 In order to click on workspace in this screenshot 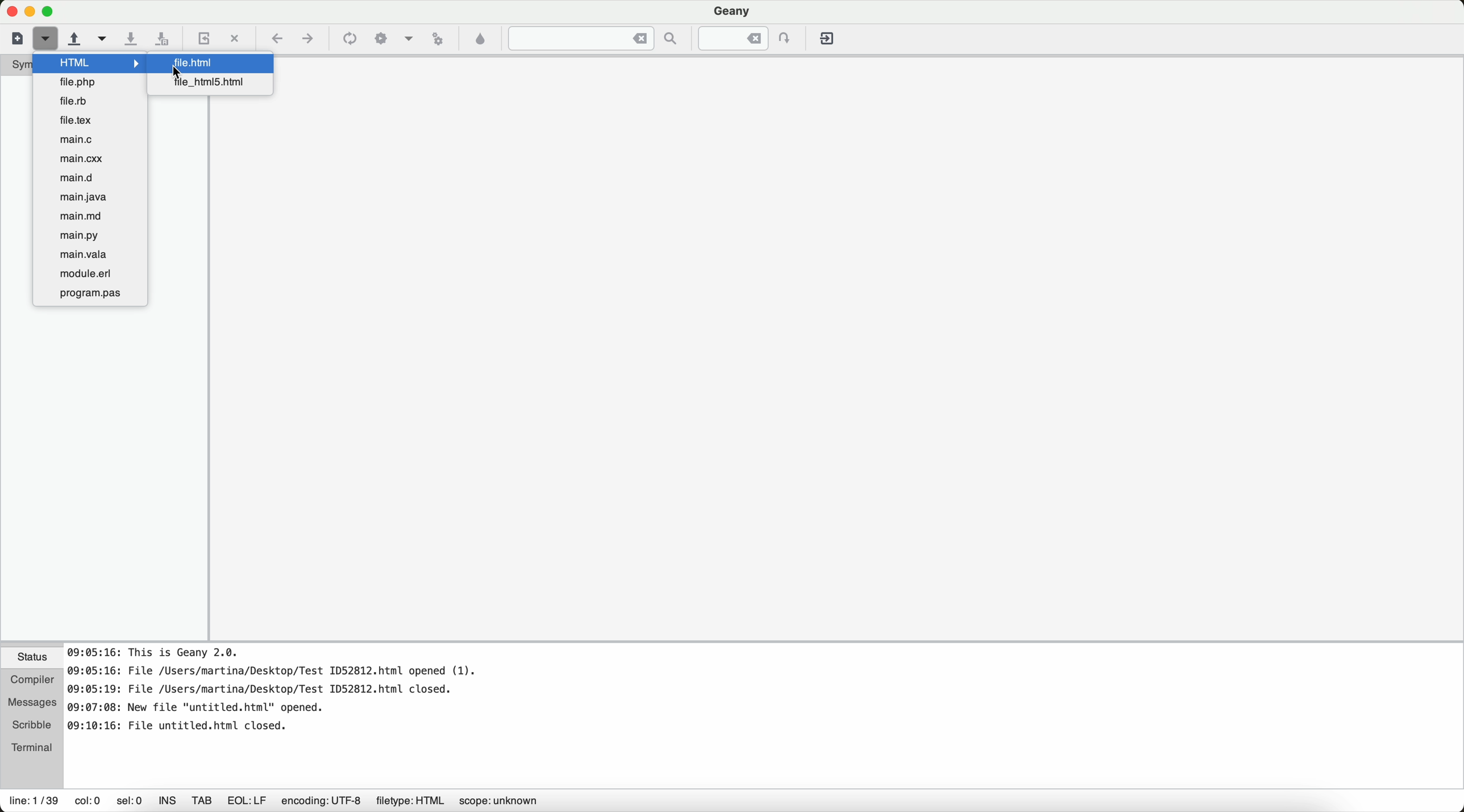, I will do `click(839, 382)`.